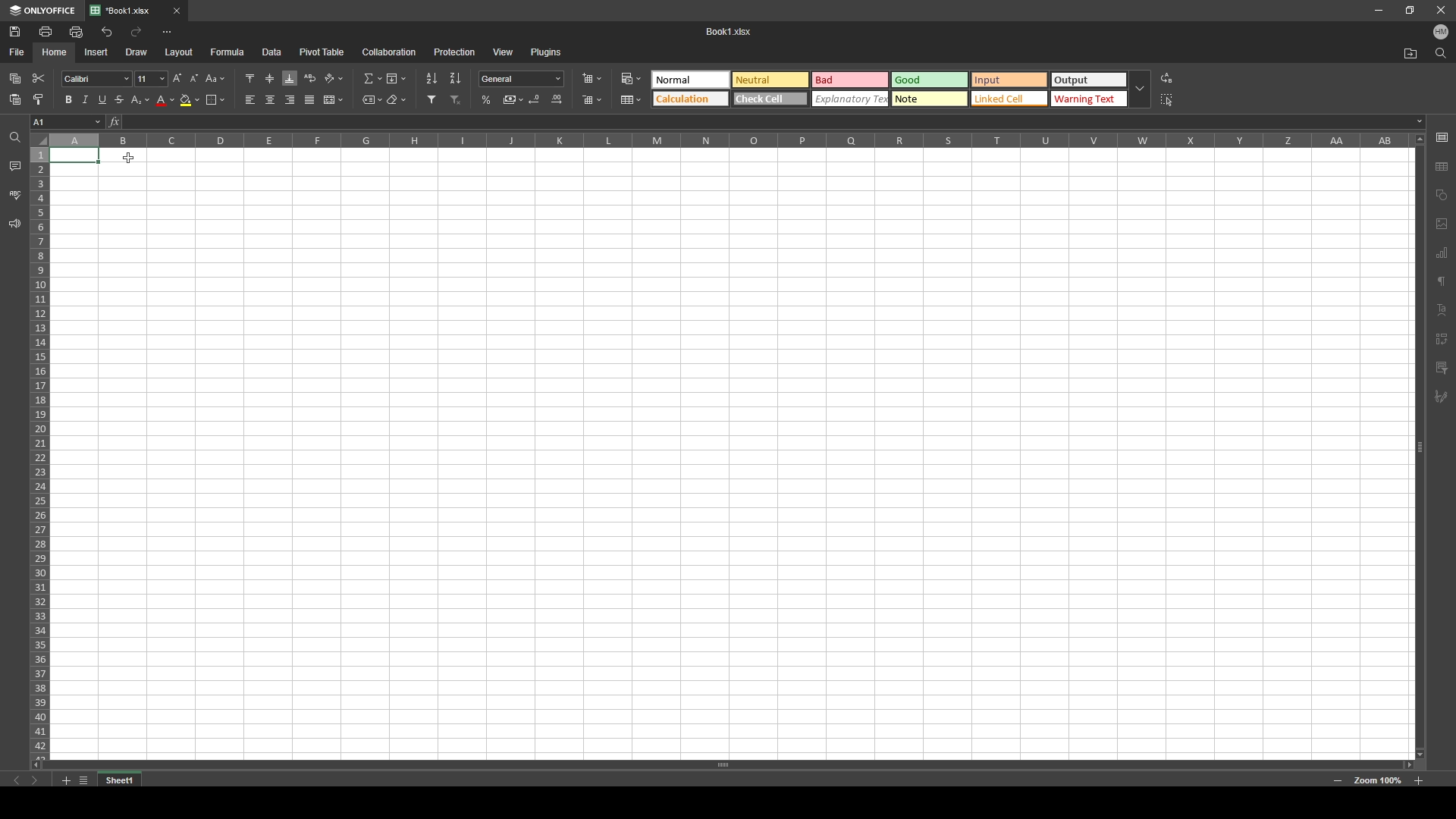  I want to click on resize, so click(1408, 11).